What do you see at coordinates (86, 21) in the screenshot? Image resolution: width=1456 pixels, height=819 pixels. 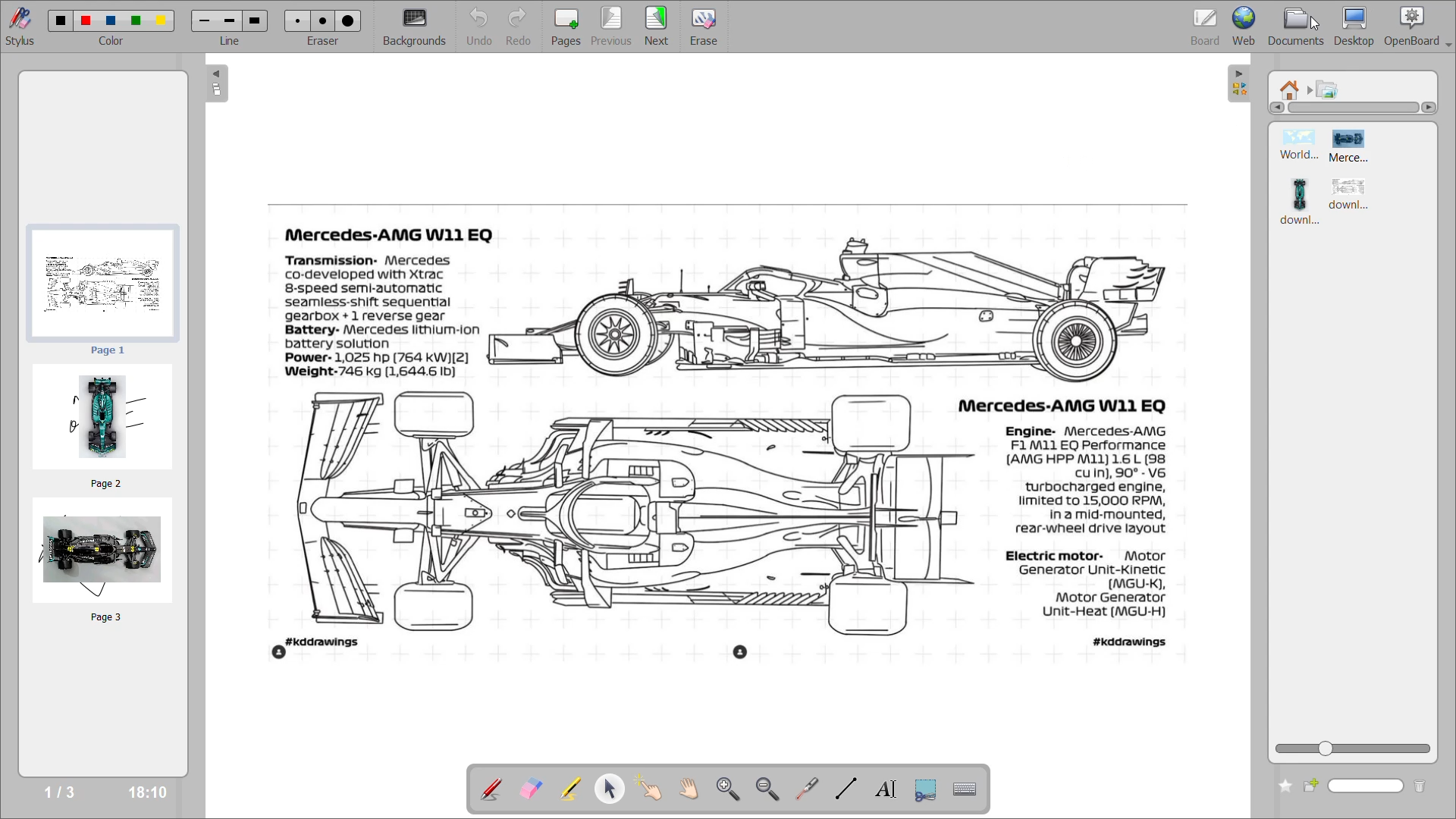 I see `color 2` at bounding box center [86, 21].